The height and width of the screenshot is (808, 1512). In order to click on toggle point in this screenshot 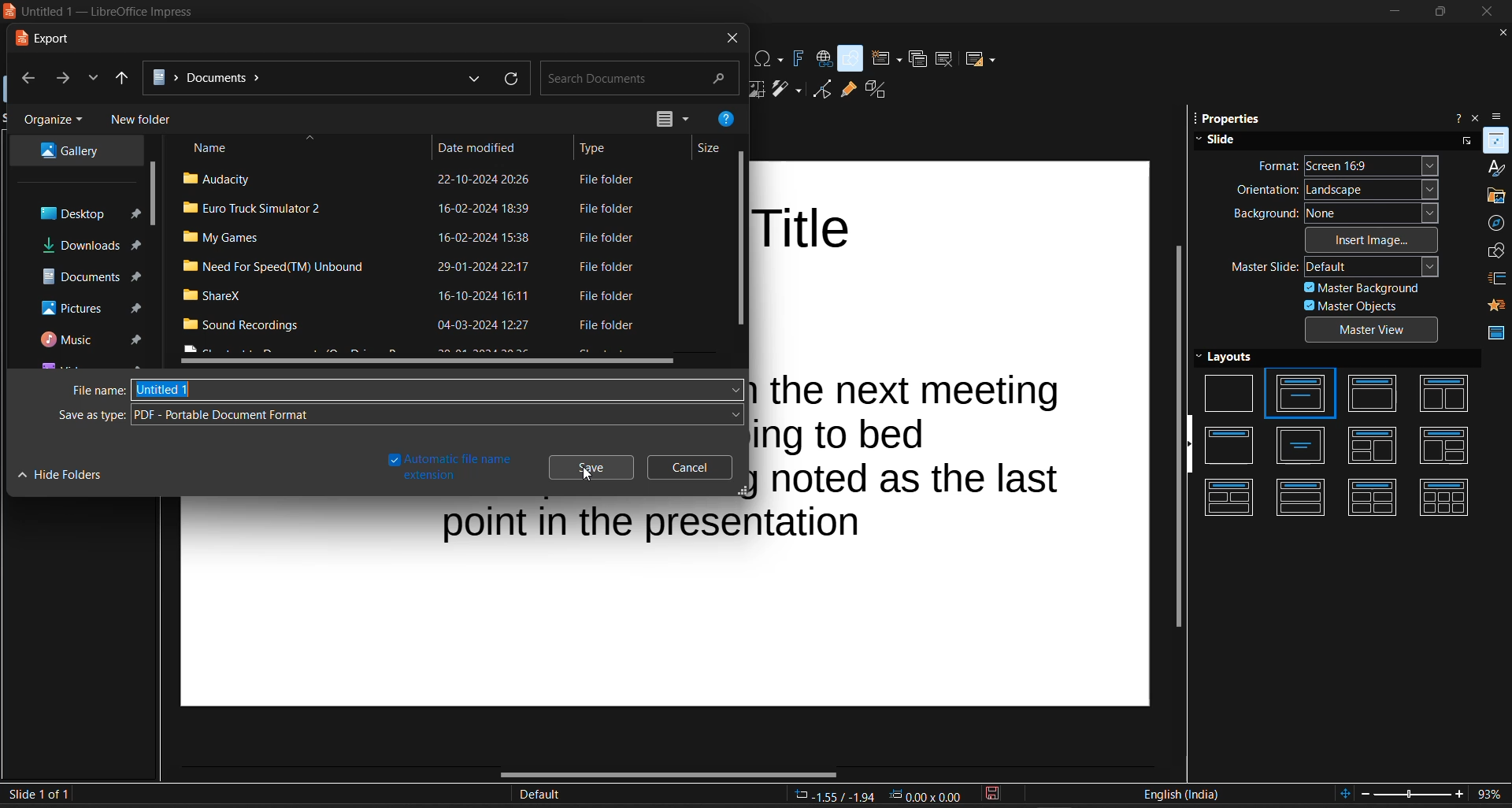, I will do `click(822, 90)`.